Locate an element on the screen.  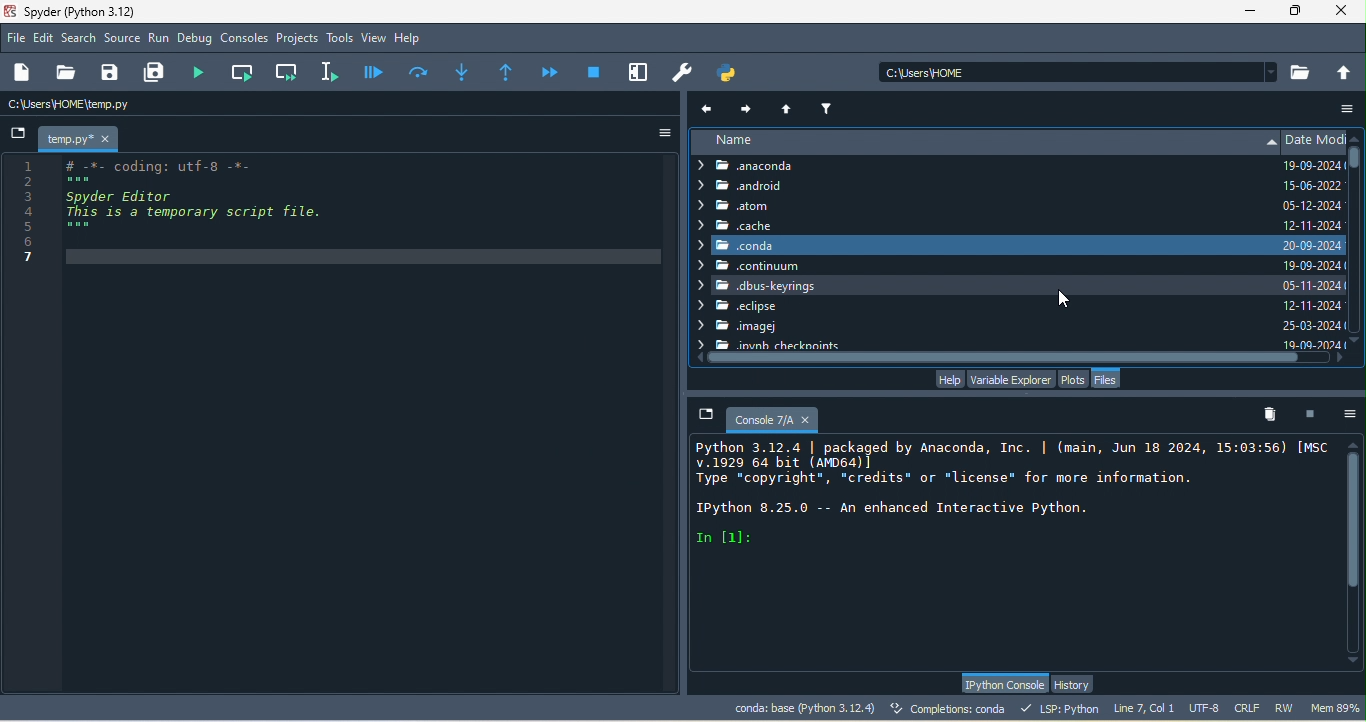
method is located at coordinates (462, 70).